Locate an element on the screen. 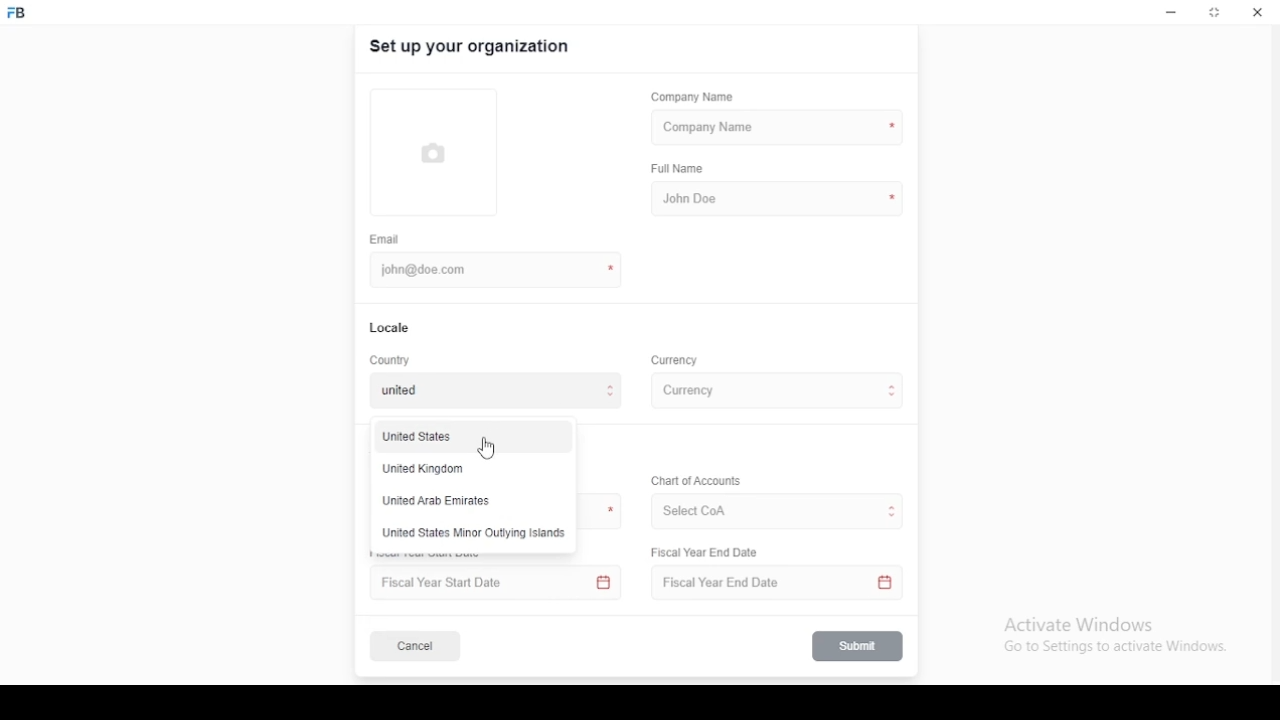 The height and width of the screenshot is (720, 1280). United Kinodom is located at coordinates (424, 471).